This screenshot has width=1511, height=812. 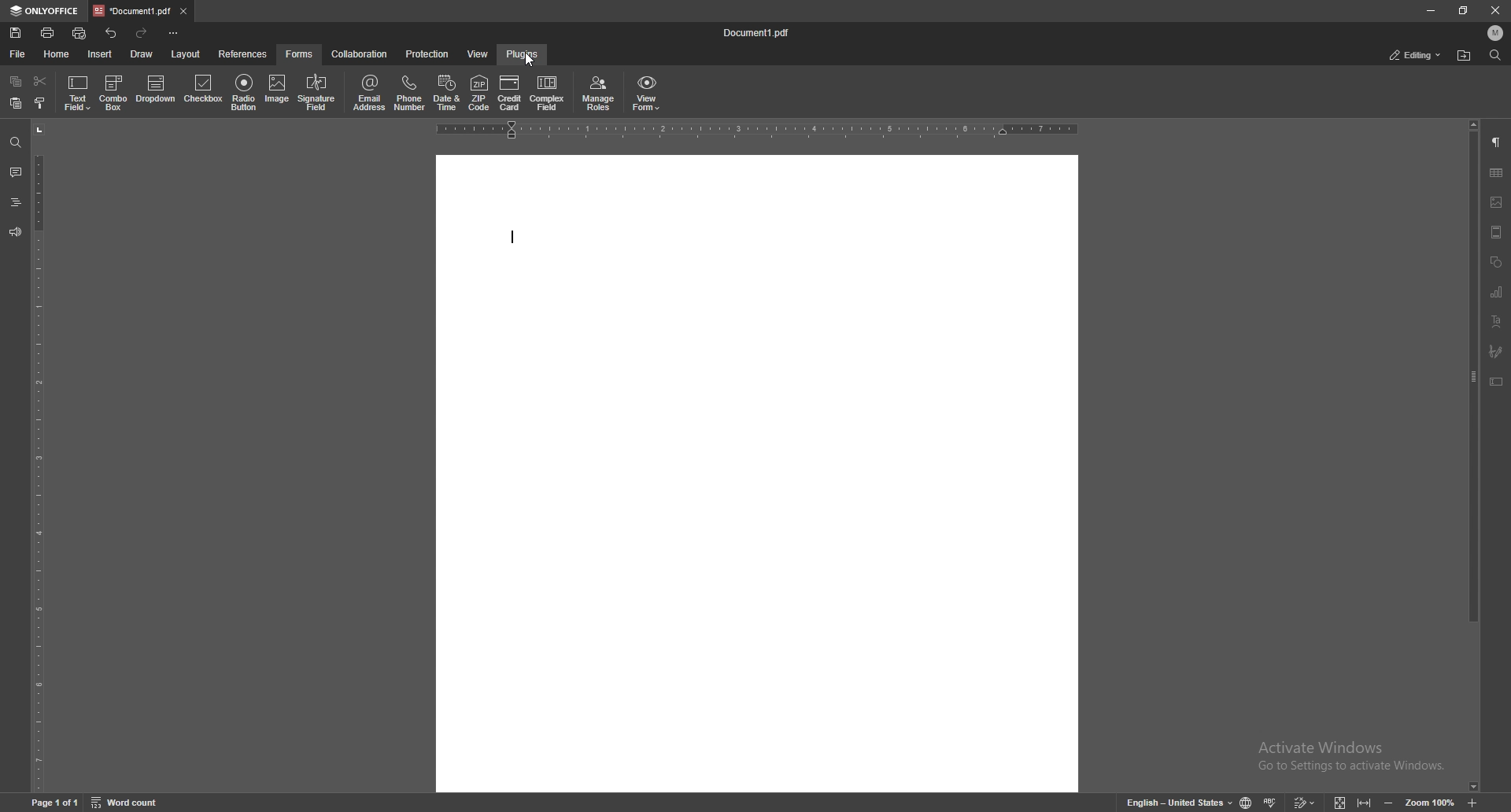 What do you see at coordinates (1497, 142) in the screenshot?
I see `paragraph` at bounding box center [1497, 142].